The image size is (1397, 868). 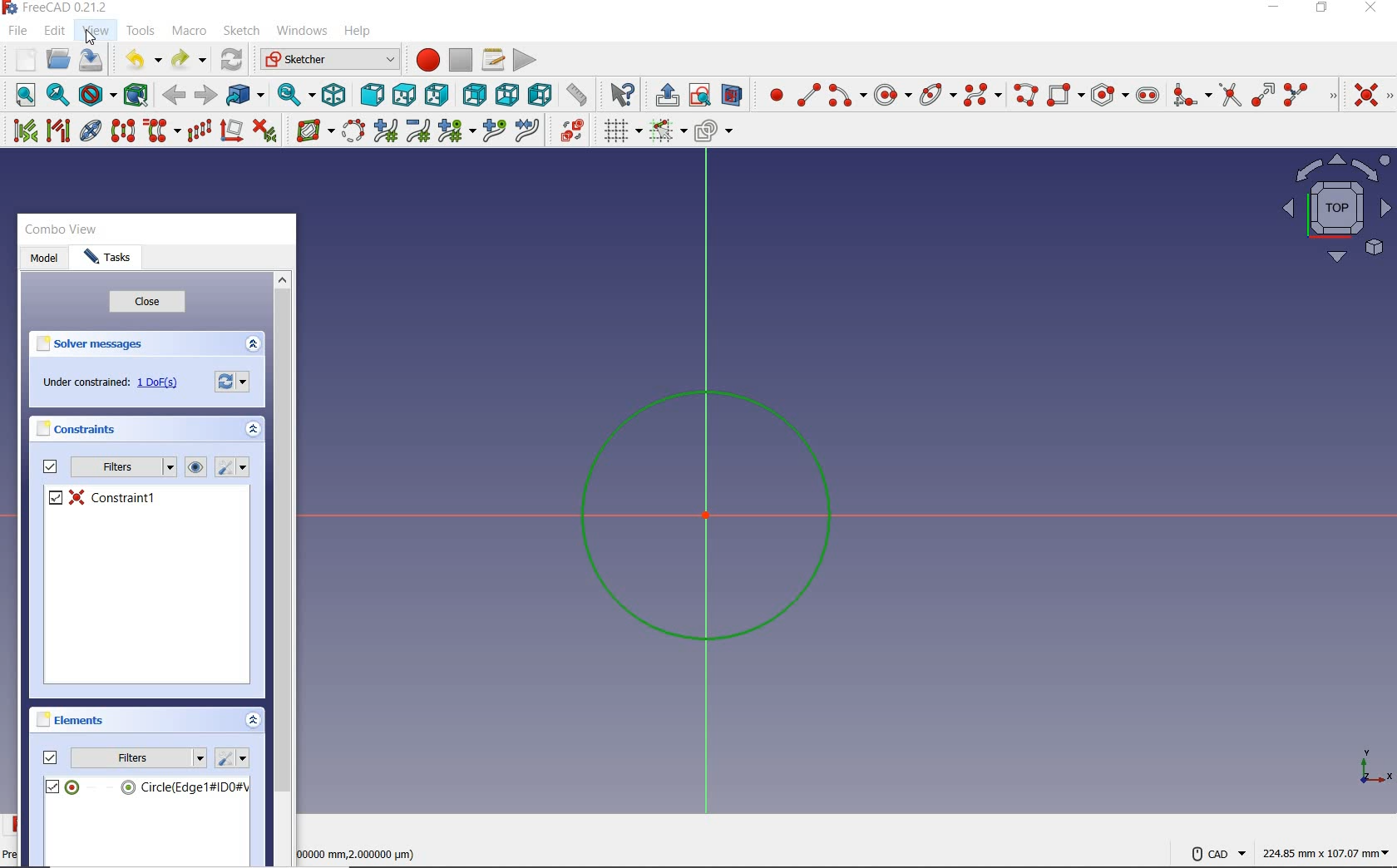 I want to click on center & rim point, so click(x=893, y=97).